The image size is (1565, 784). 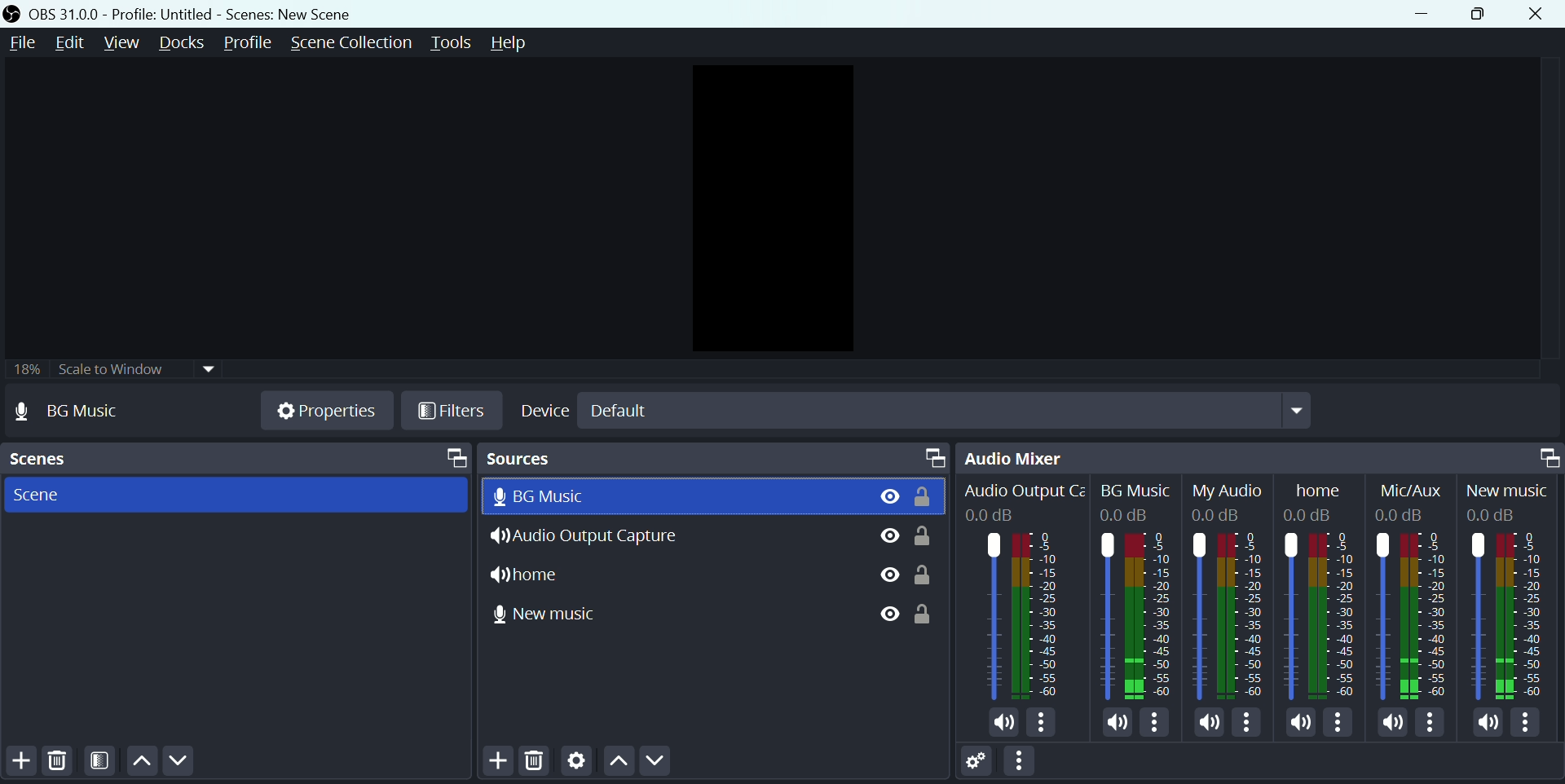 What do you see at coordinates (26, 368) in the screenshot?
I see `18%` at bounding box center [26, 368].